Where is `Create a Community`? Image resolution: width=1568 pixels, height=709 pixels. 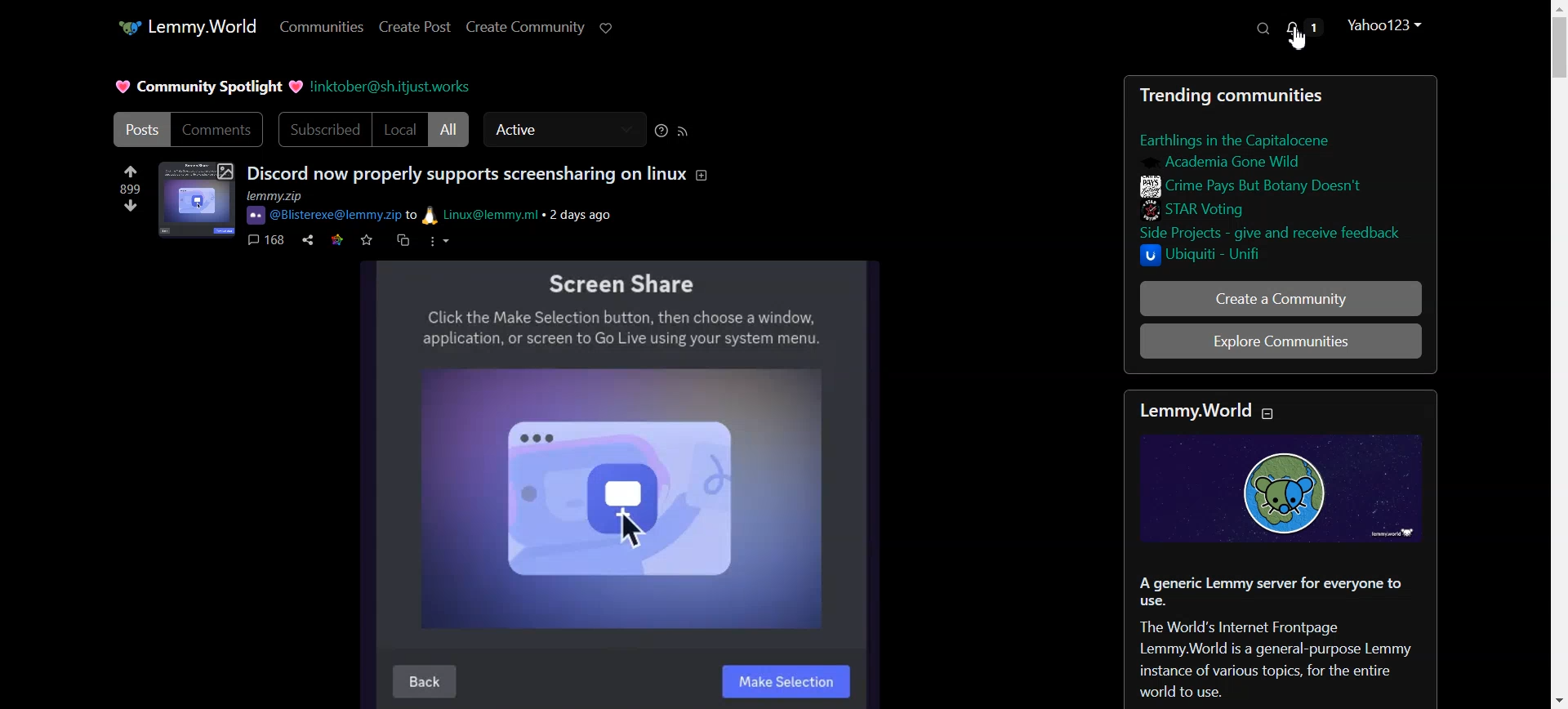
Create a Community is located at coordinates (1282, 298).